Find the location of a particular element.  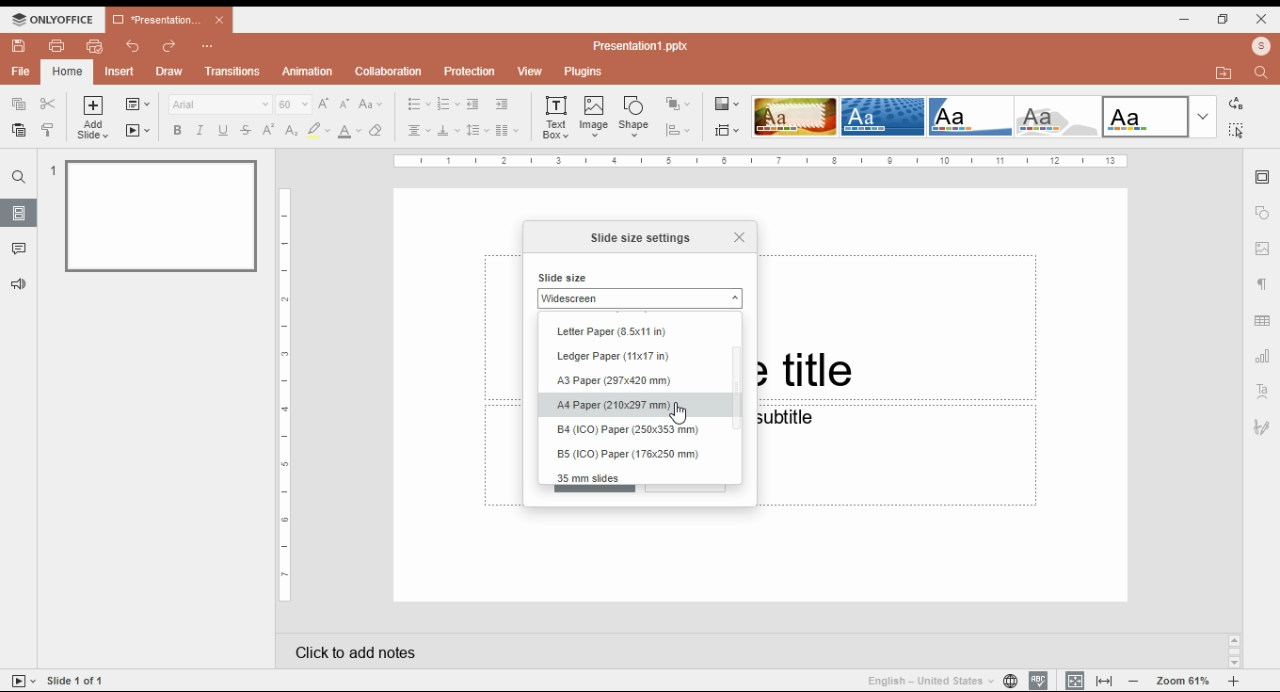

Page Scale is located at coordinates (761, 161).